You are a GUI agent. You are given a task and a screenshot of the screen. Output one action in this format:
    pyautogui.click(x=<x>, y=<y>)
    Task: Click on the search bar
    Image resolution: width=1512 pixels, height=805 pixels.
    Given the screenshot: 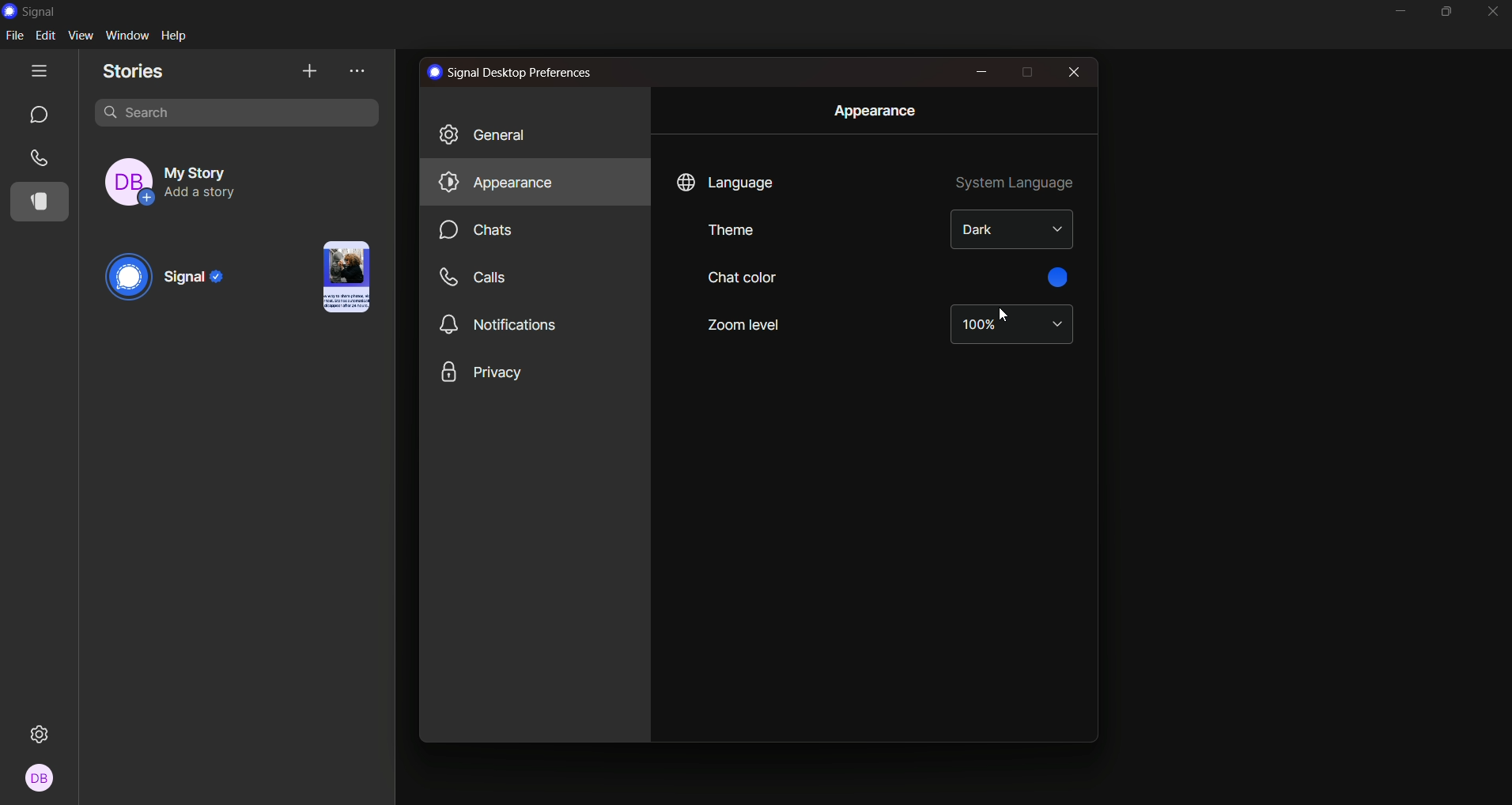 What is the action you would take?
    pyautogui.click(x=239, y=111)
    